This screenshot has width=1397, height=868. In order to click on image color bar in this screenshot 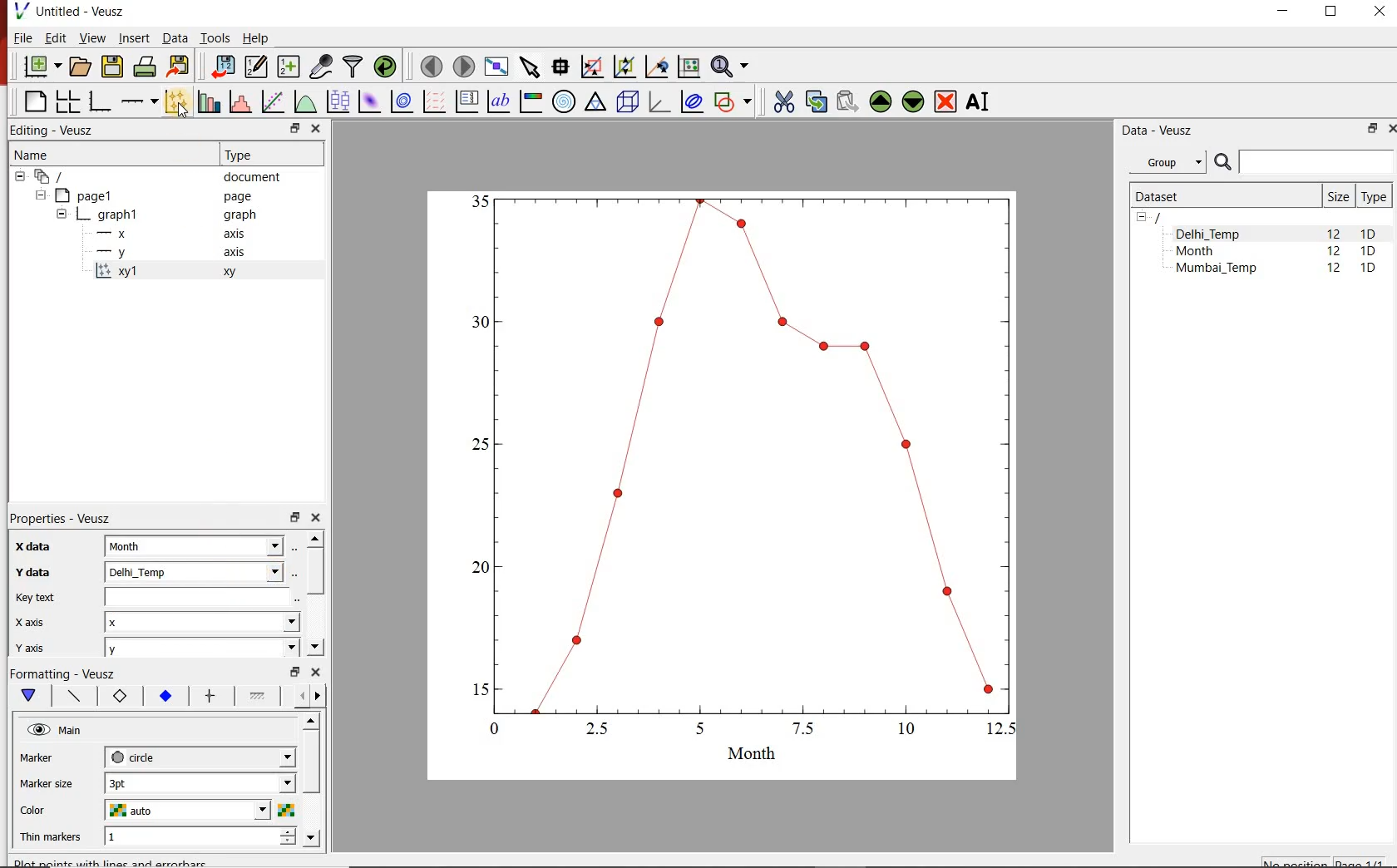, I will do `click(531, 101)`.